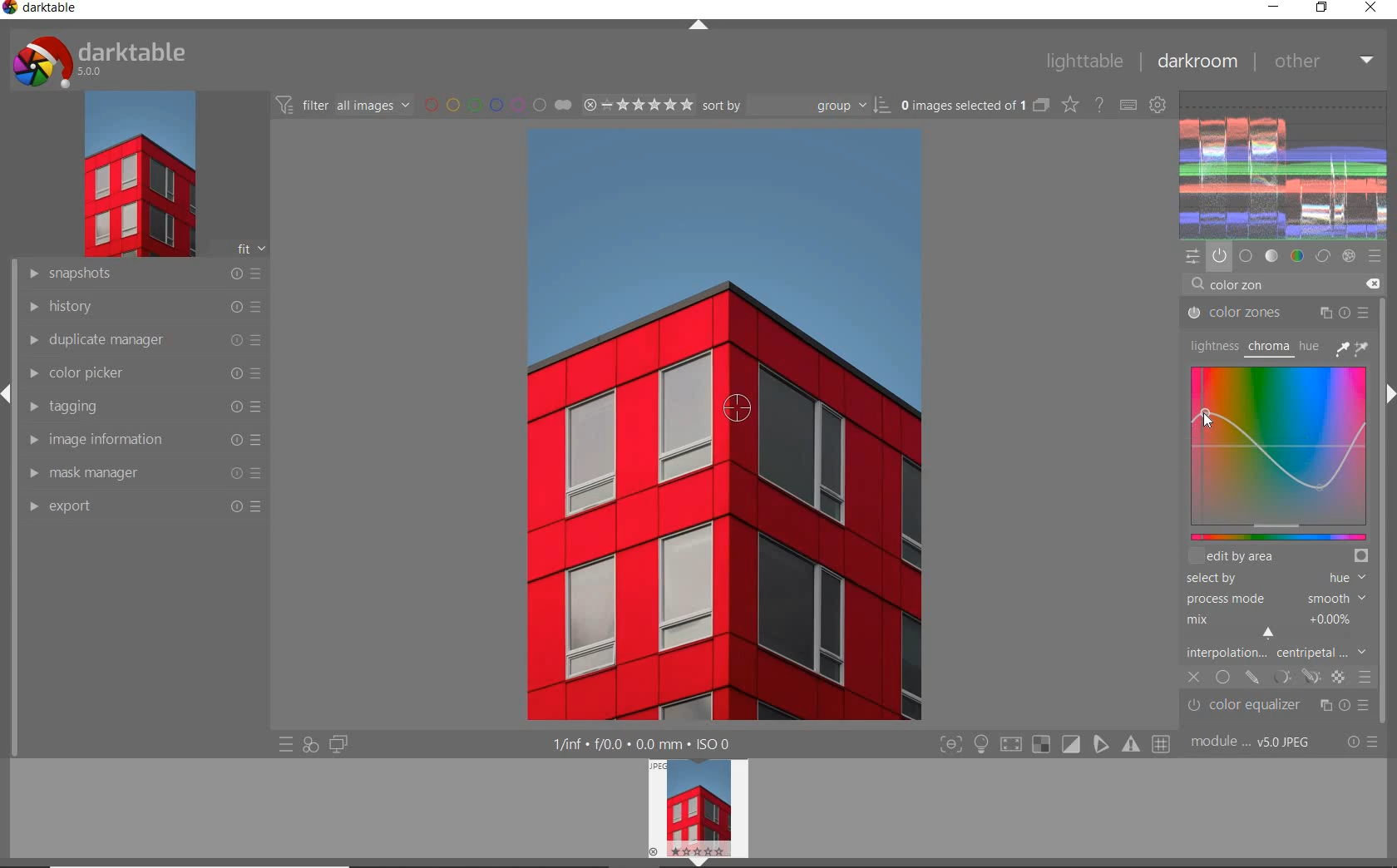  What do you see at coordinates (1039, 744) in the screenshot?
I see `gamut check` at bounding box center [1039, 744].